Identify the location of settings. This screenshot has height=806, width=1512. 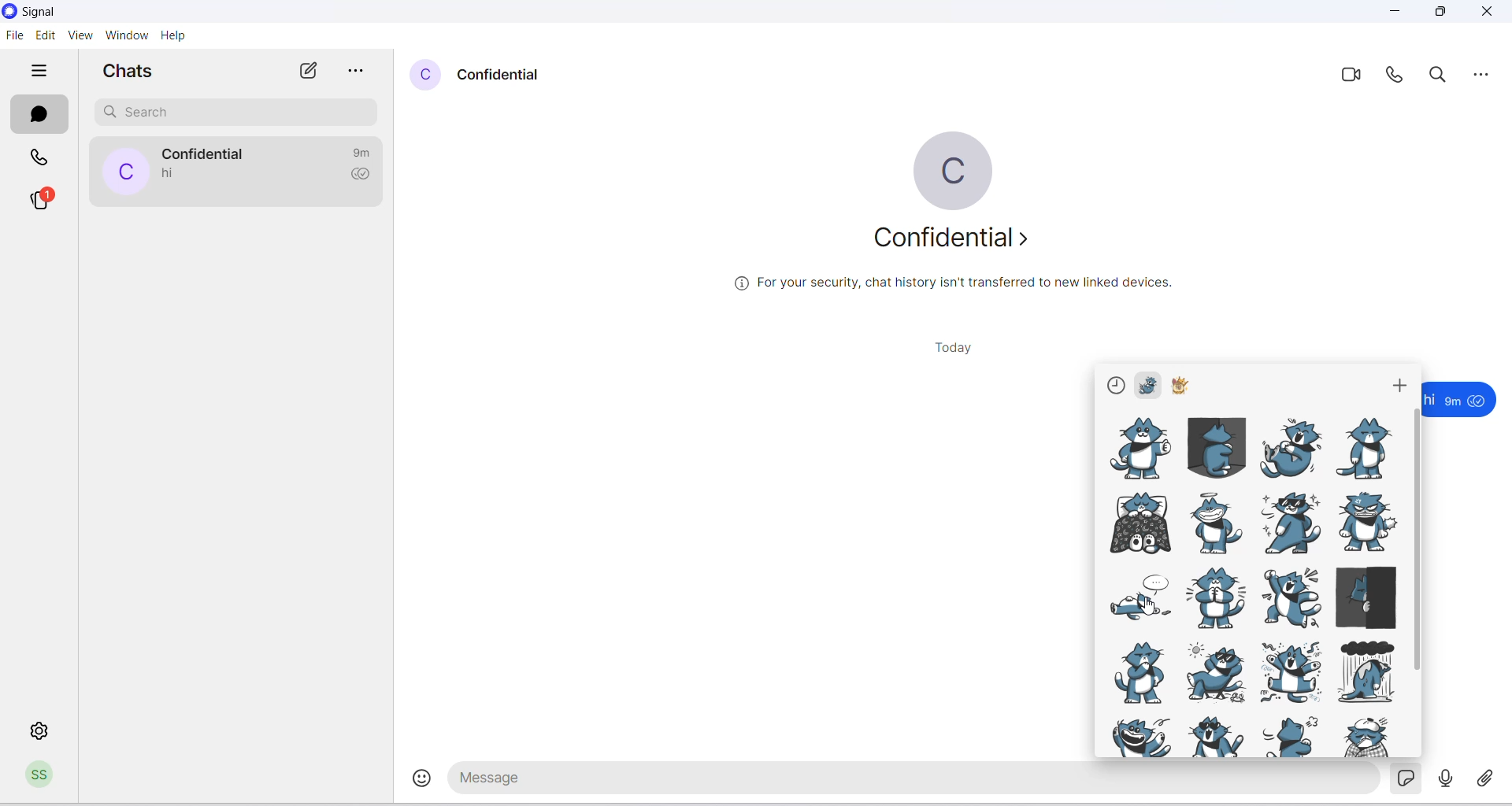
(42, 730).